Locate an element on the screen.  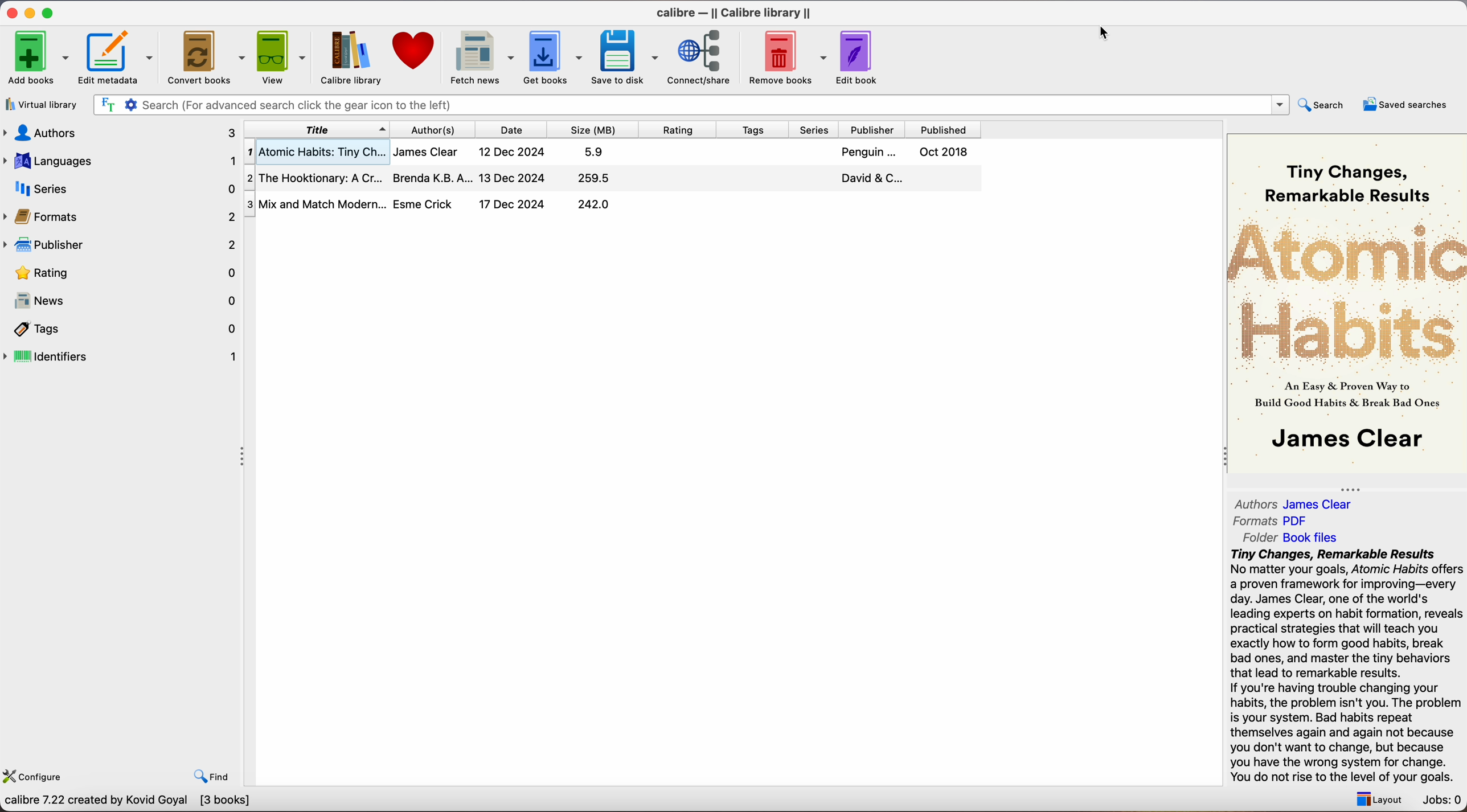
layout is located at coordinates (1376, 799).